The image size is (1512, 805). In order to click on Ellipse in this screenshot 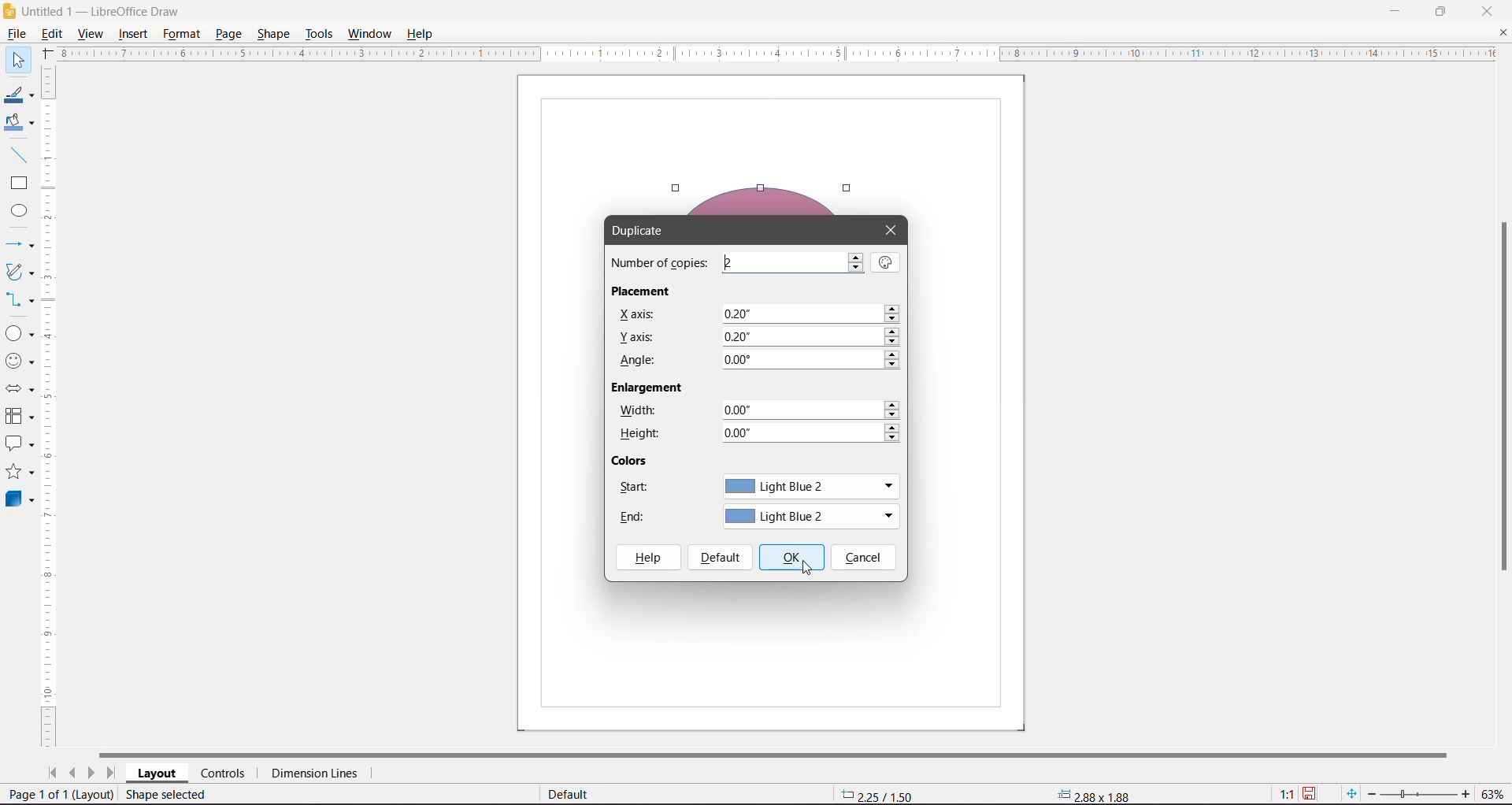, I will do `click(18, 210)`.